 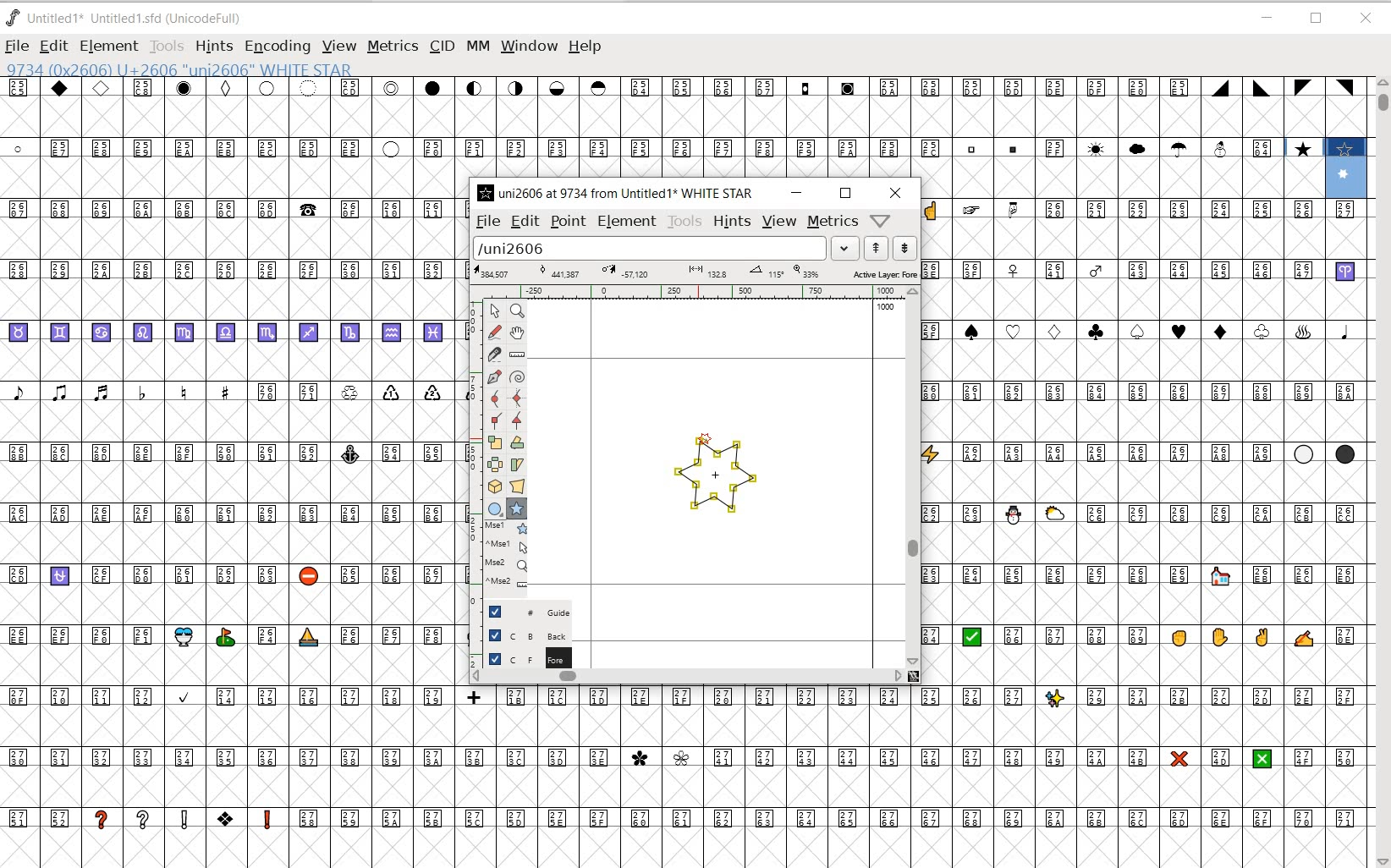 I want to click on help/window, so click(x=880, y=220).